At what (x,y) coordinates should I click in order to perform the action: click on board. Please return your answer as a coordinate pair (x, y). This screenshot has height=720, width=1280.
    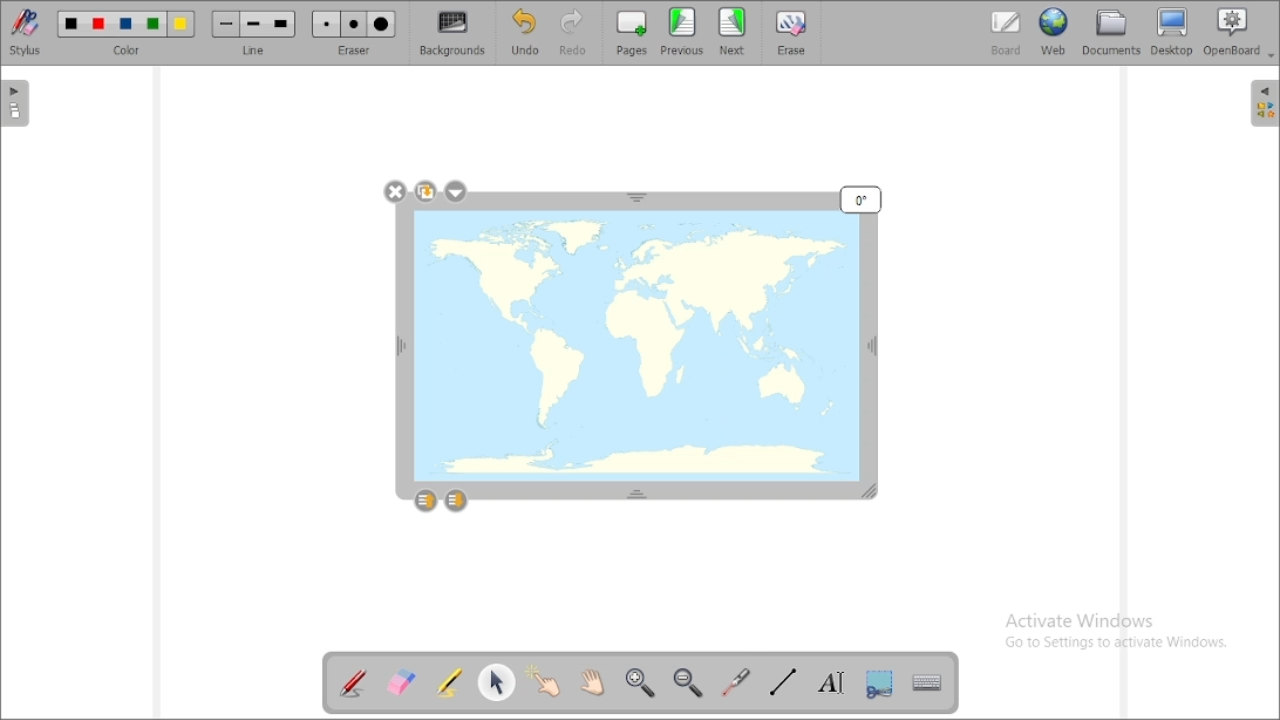
    Looking at the image, I should click on (1006, 33).